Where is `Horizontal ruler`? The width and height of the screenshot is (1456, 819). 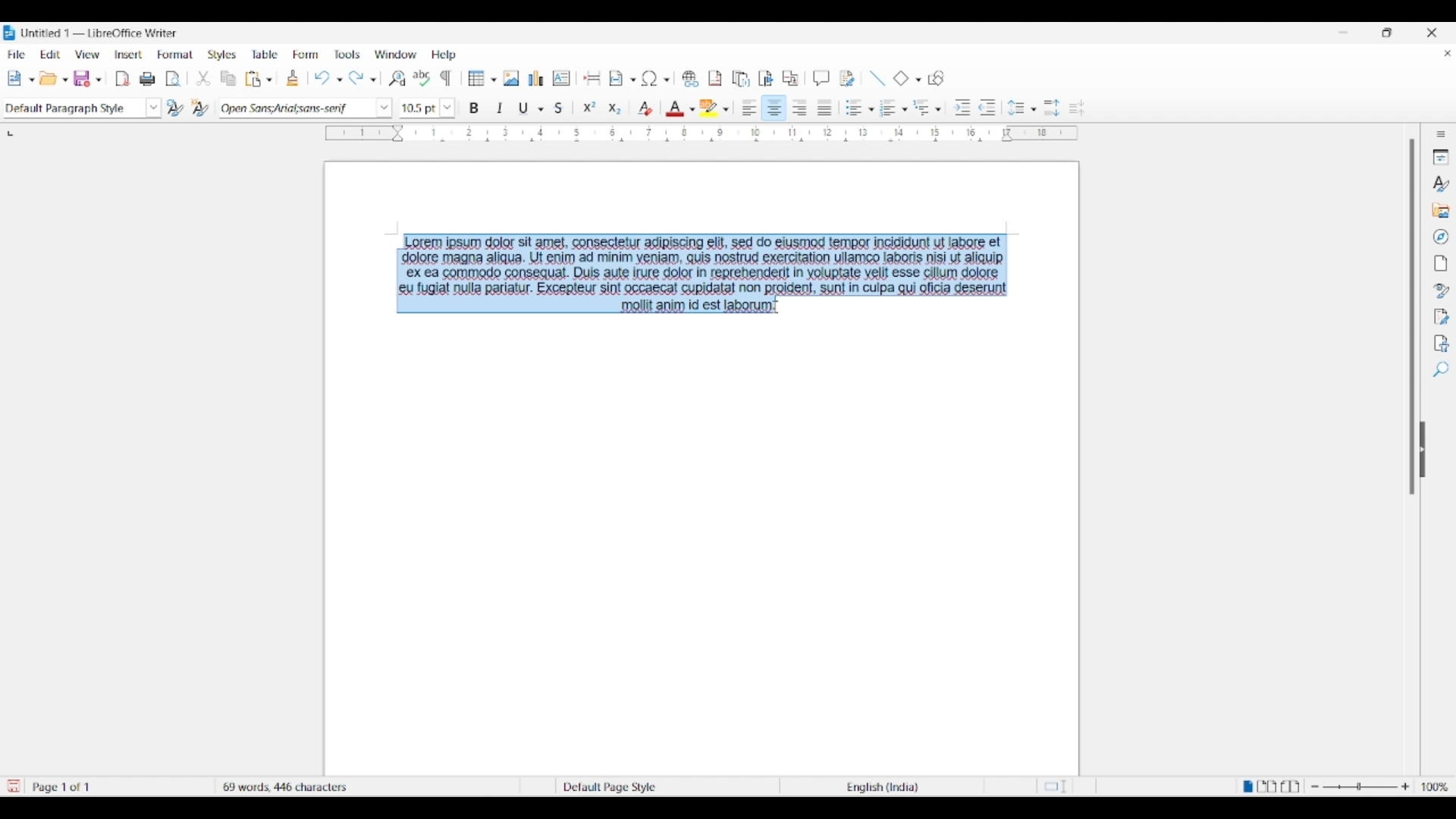 Horizontal ruler is located at coordinates (701, 133).